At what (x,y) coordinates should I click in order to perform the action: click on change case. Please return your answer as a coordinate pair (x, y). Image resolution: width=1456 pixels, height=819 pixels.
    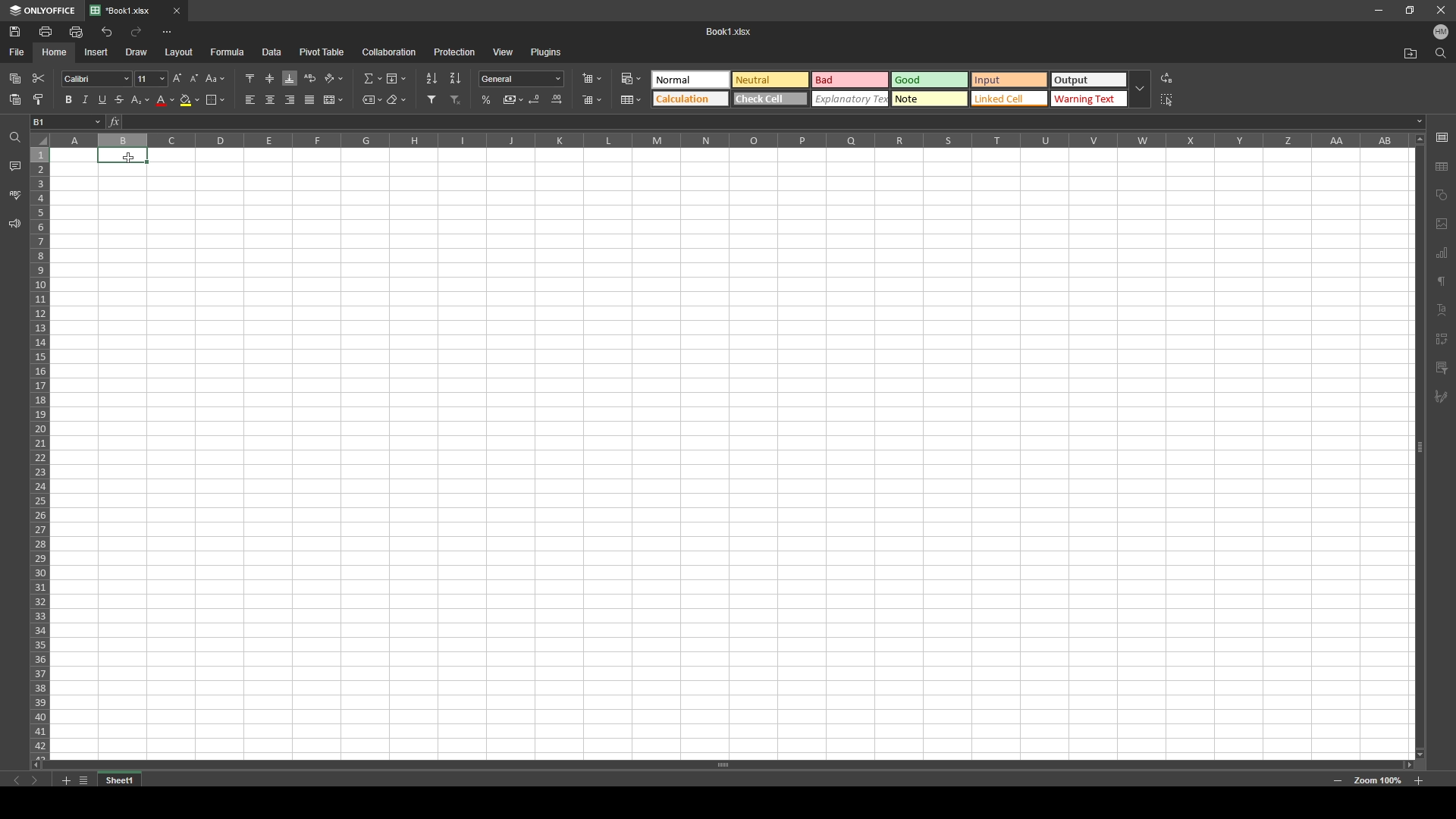
    Looking at the image, I should click on (216, 78).